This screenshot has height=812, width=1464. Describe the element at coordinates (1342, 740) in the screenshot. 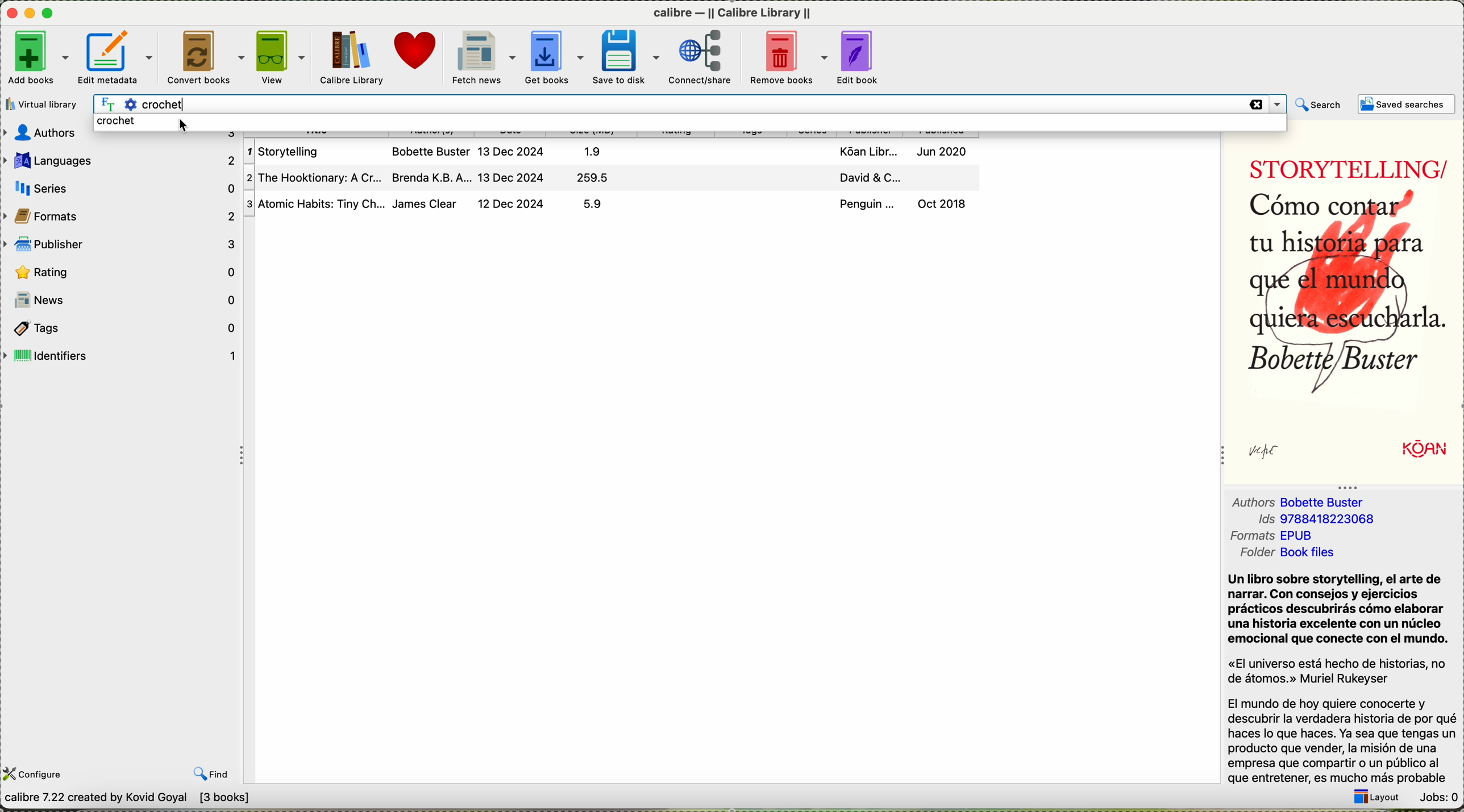

I see `El mundo de hoy quiere conocerte y
descubrir la verdadera historia de por qué
haces lo que haces. Ya sea que tengas un
producto que vender, la misién de una
empresa que compartir o un ptblico al
que entretener, es mucho mas probable` at that location.